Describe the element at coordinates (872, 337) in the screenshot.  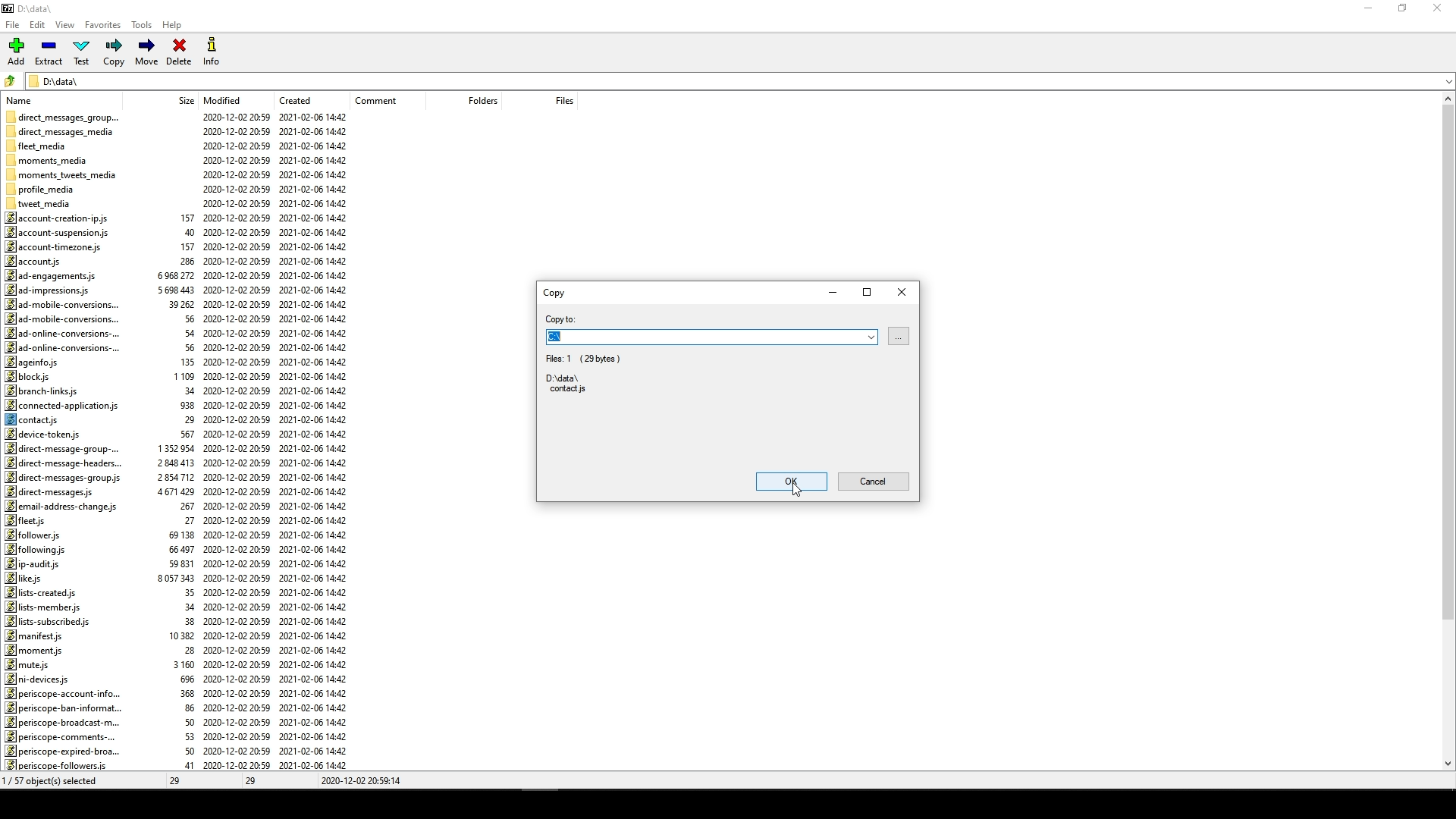
I see `Dropdown` at that location.